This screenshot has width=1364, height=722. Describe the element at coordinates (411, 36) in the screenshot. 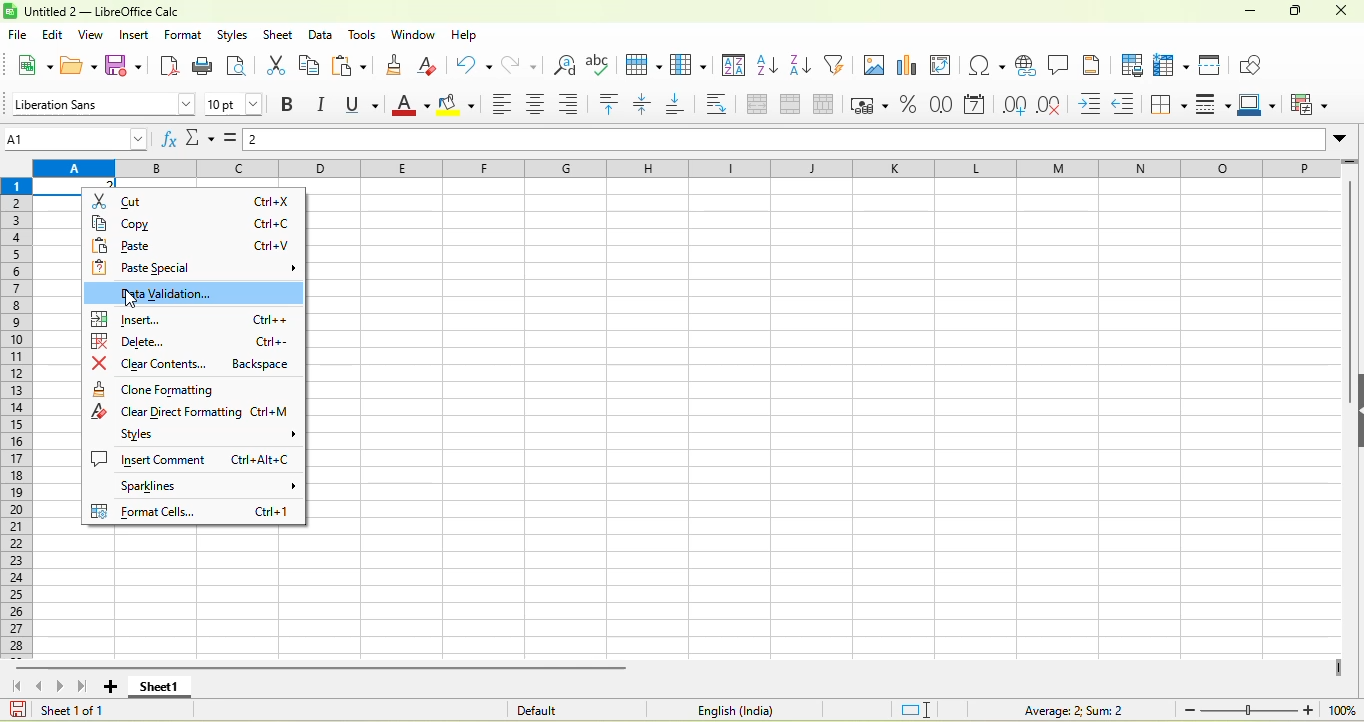

I see `window` at that location.